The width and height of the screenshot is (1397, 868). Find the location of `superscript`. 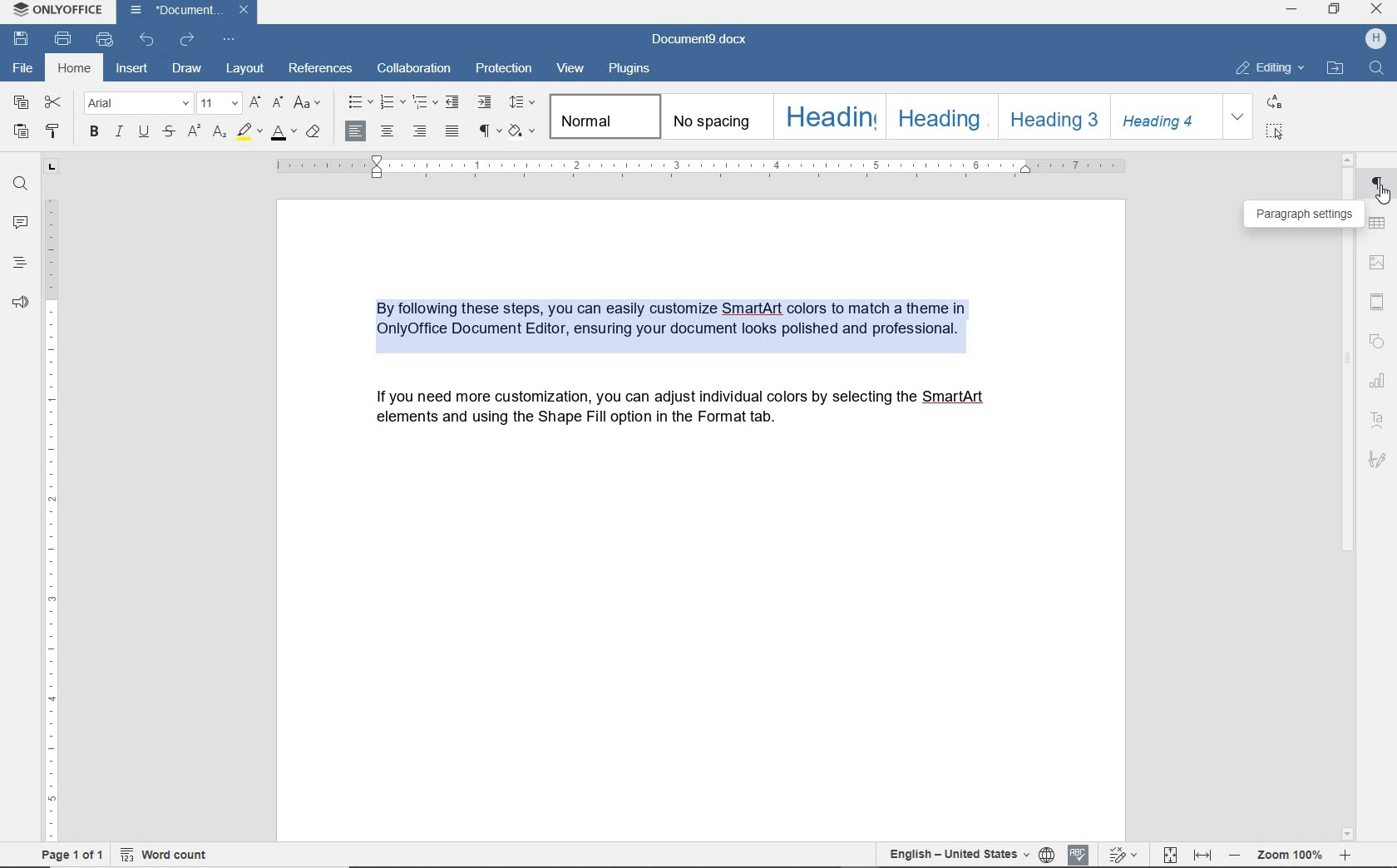

superscript is located at coordinates (194, 131).